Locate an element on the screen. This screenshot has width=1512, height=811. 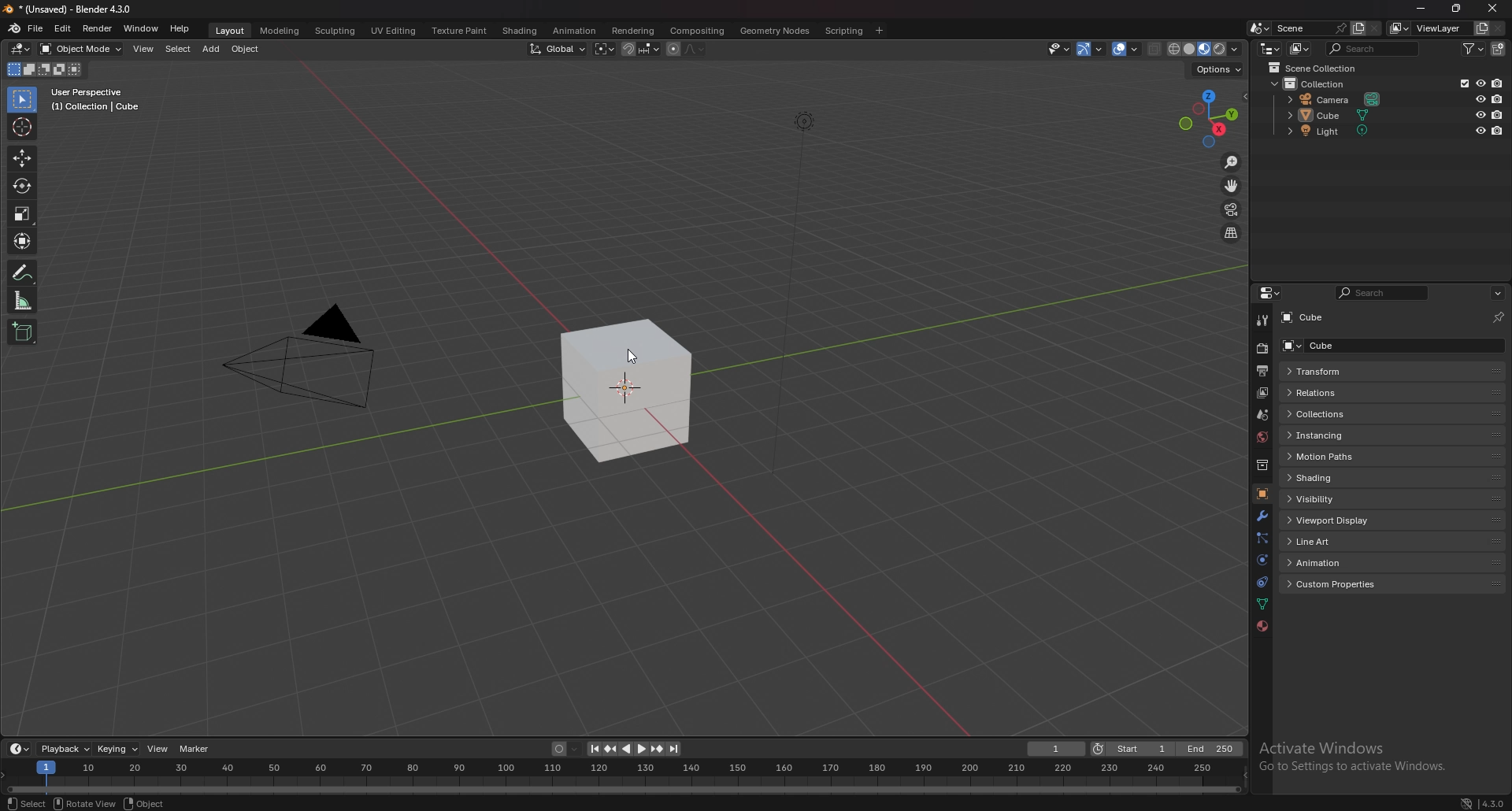
scale is located at coordinates (23, 213).